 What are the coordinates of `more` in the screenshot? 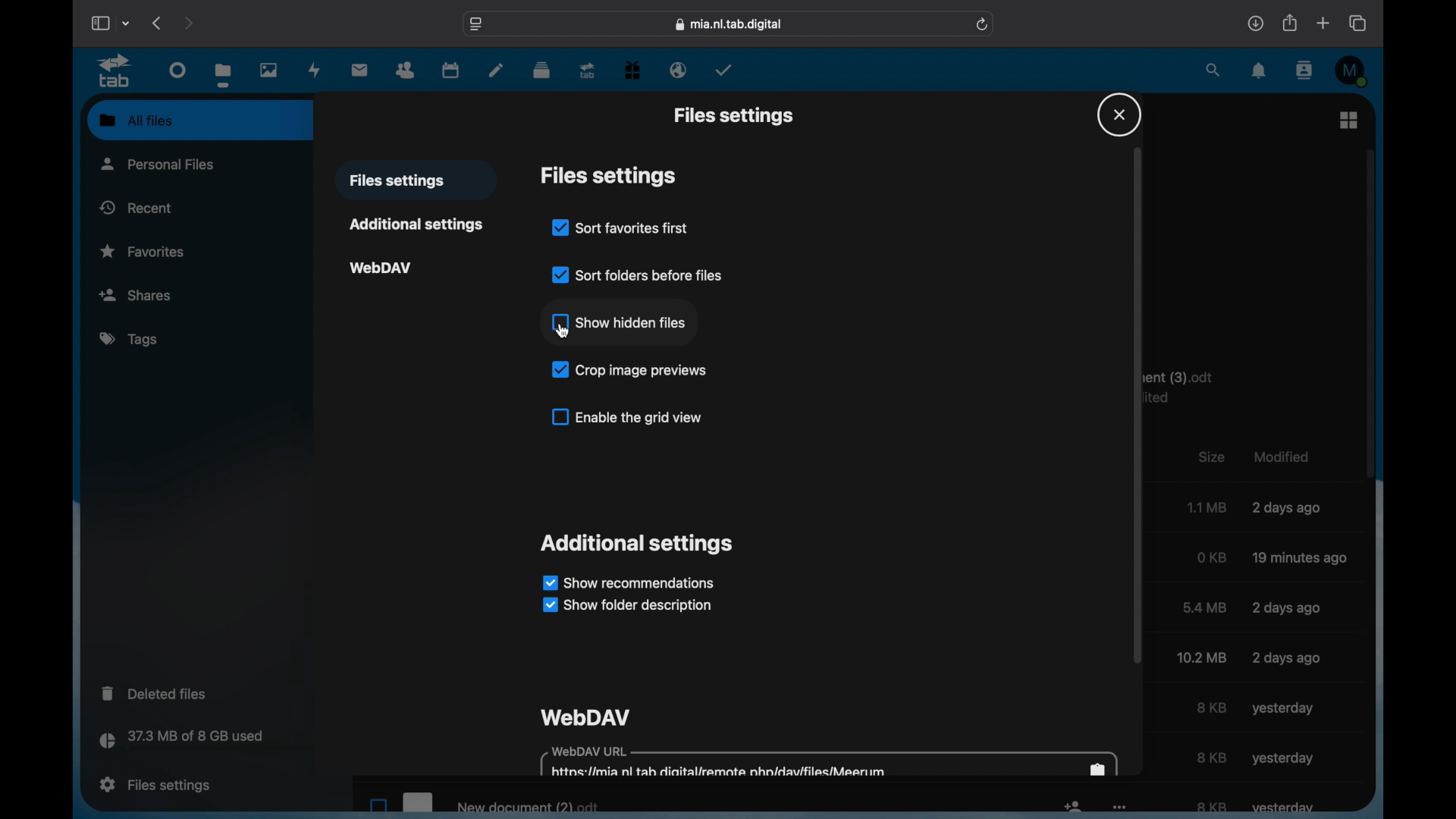 It's located at (1119, 809).